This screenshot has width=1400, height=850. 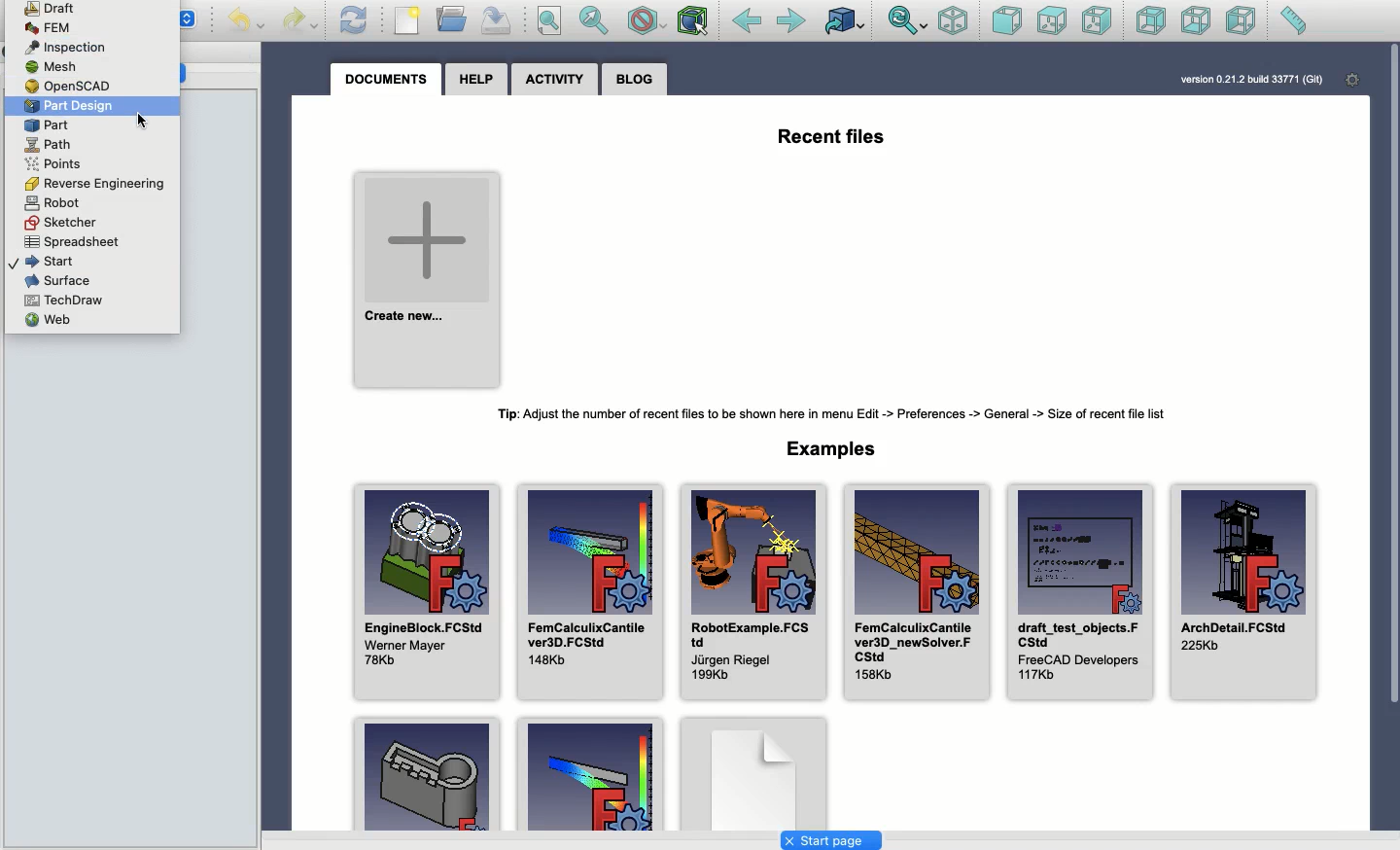 What do you see at coordinates (48, 125) in the screenshot?
I see `Part` at bounding box center [48, 125].